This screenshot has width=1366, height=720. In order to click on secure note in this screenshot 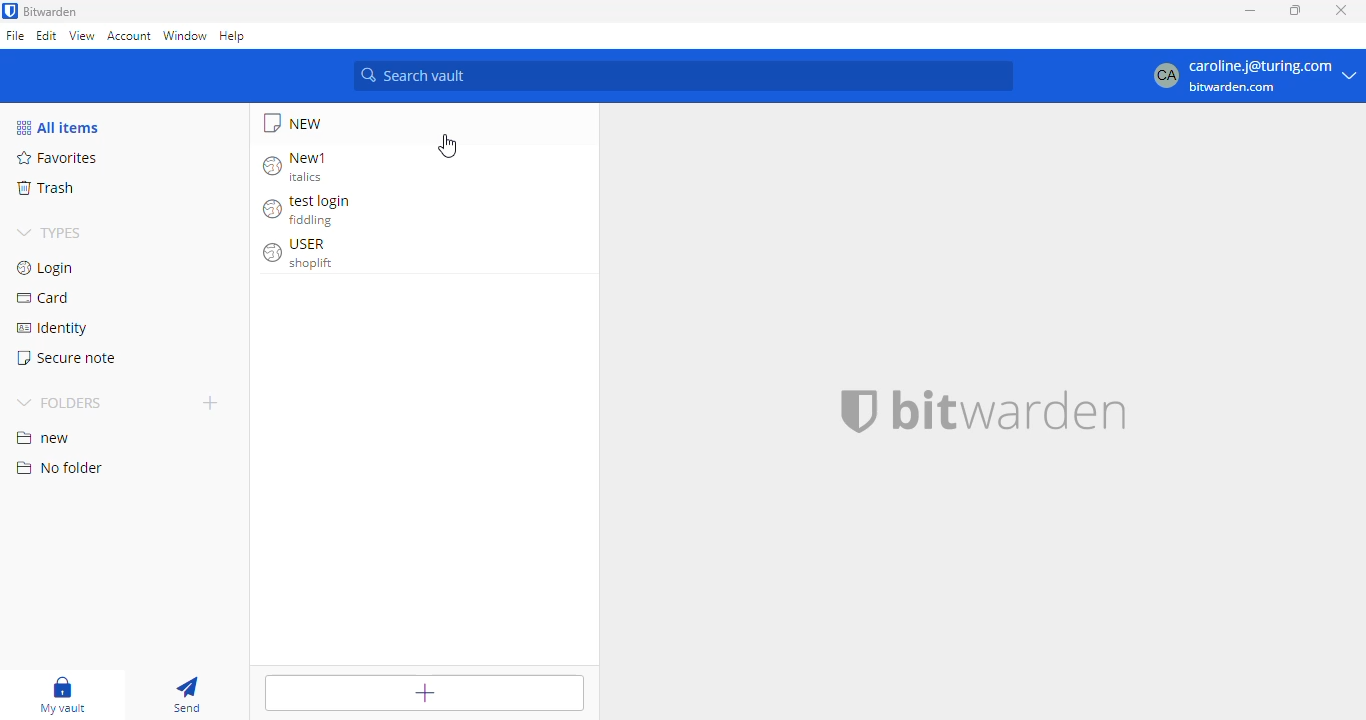, I will do `click(303, 122)`.